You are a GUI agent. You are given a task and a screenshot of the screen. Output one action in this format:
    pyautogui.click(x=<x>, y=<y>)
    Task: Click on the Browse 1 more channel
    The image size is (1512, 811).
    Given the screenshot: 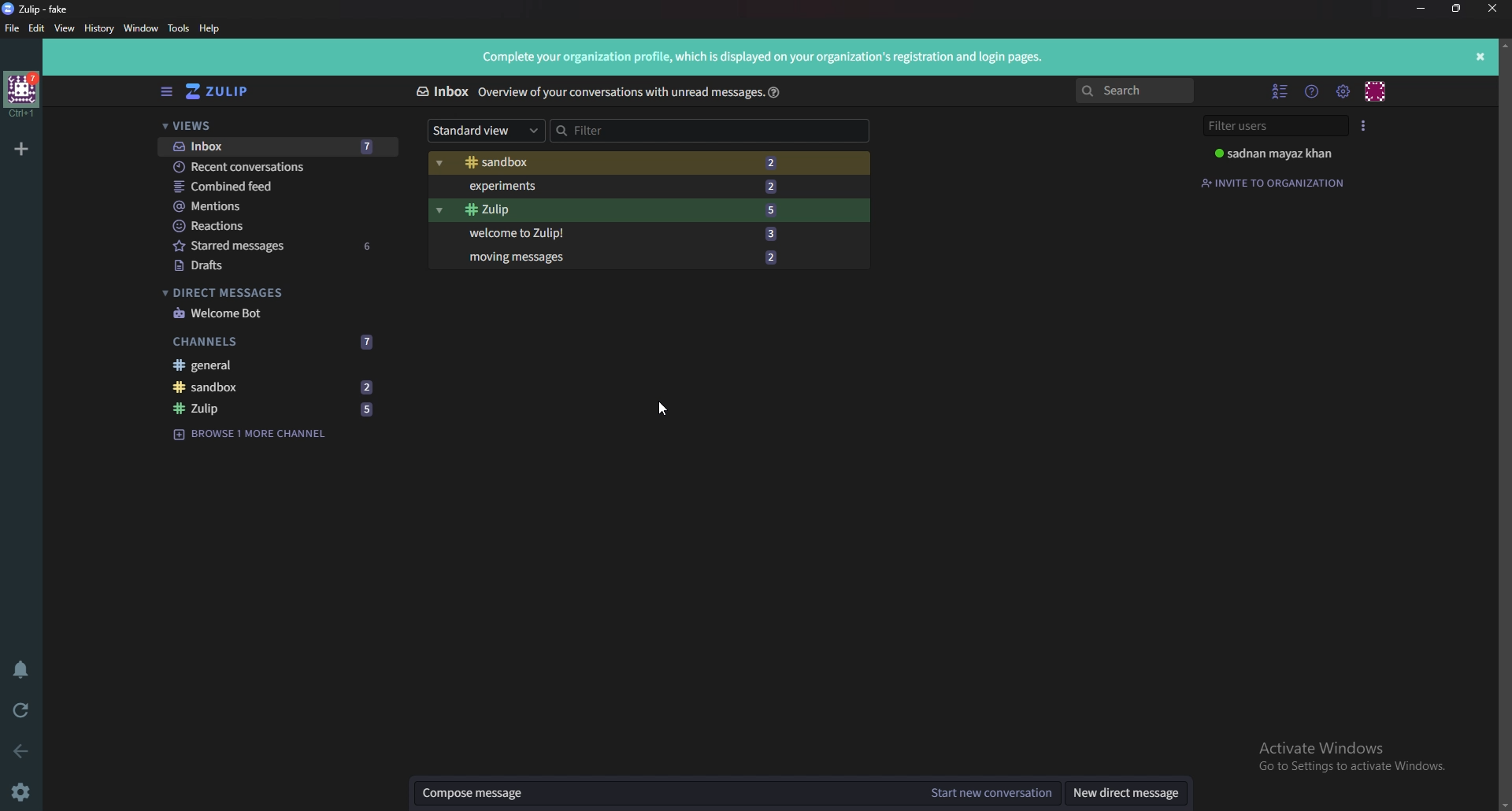 What is the action you would take?
    pyautogui.click(x=256, y=435)
    